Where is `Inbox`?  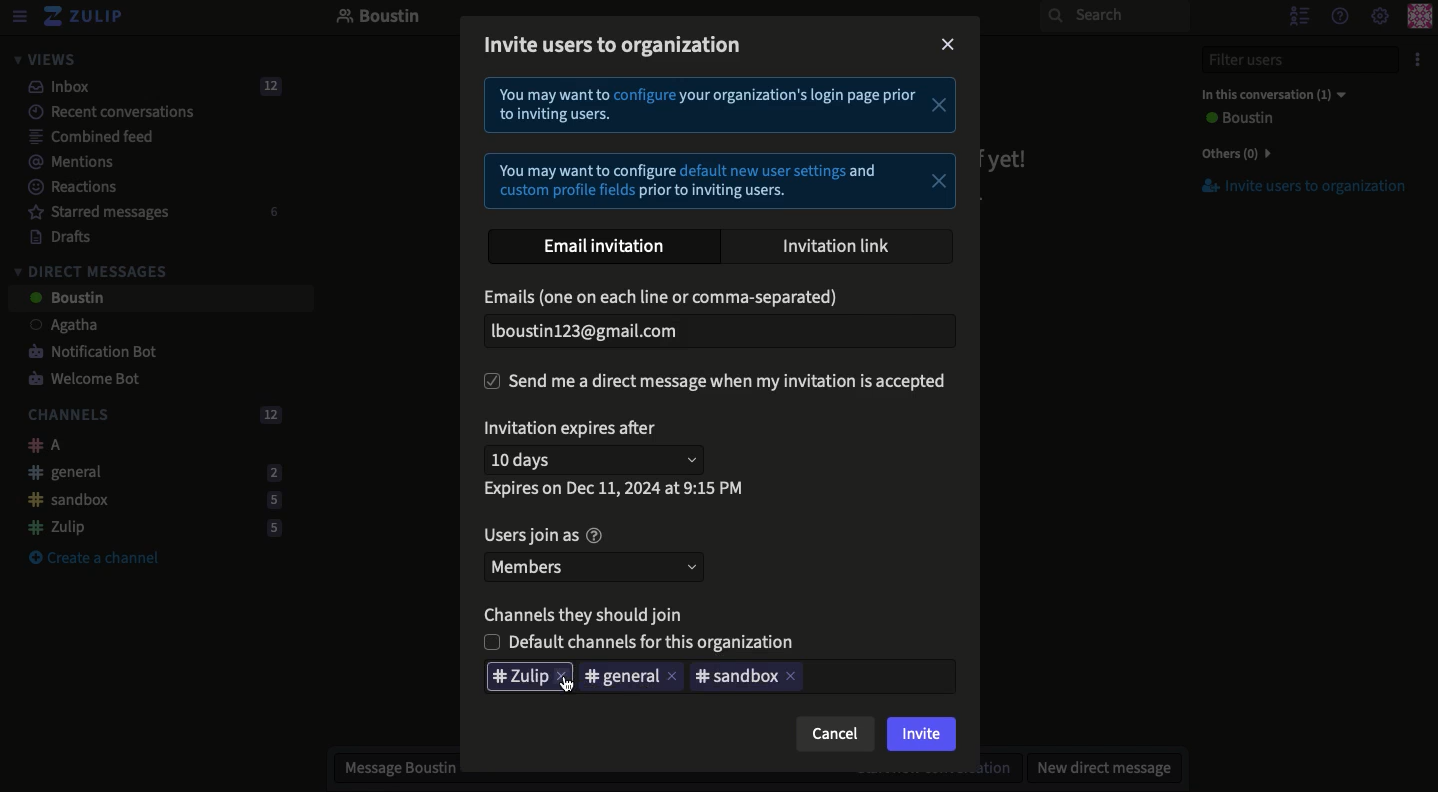
Inbox is located at coordinates (146, 87).